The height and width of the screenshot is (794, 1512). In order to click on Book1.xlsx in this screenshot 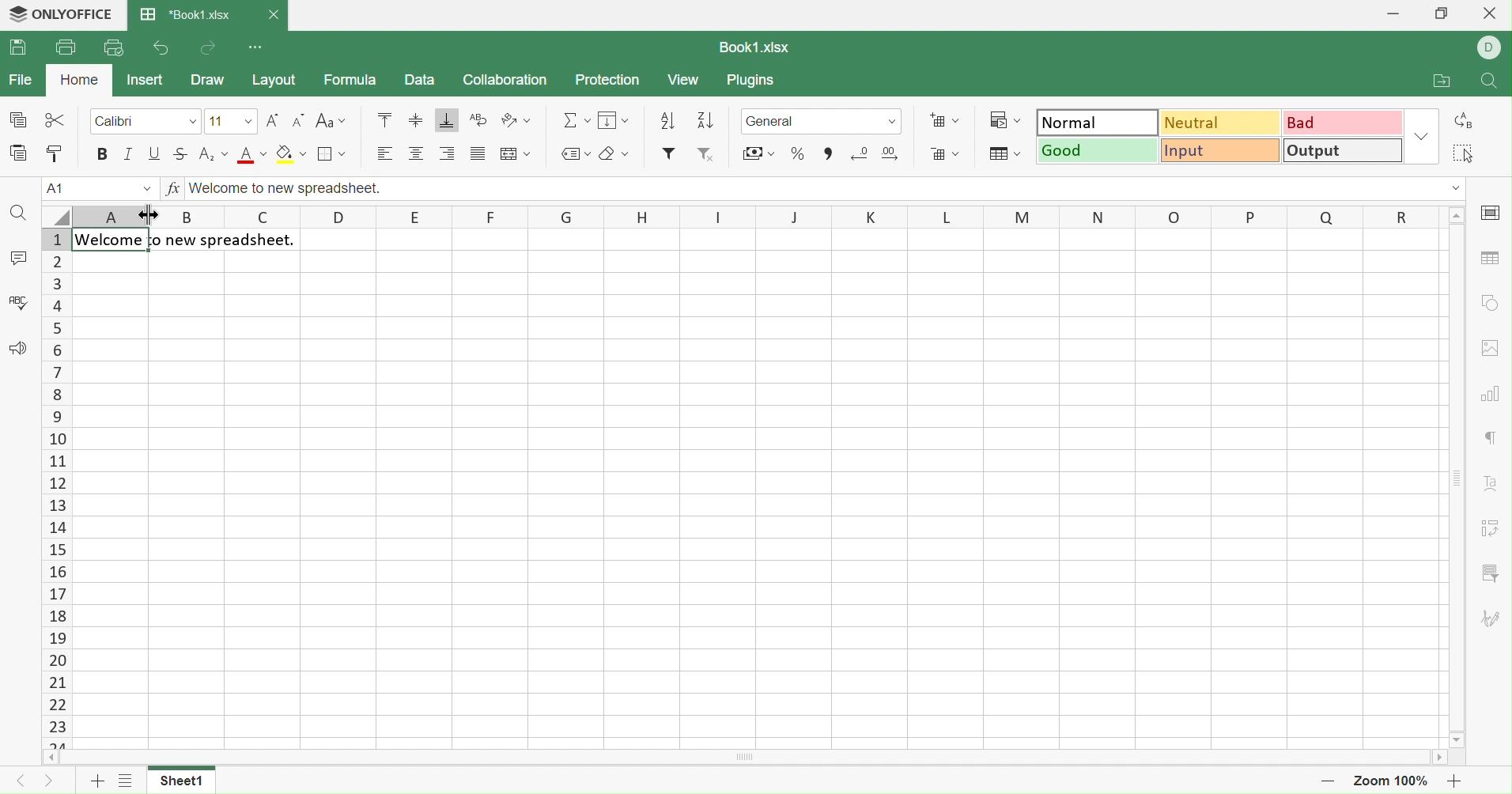, I will do `click(757, 45)`.